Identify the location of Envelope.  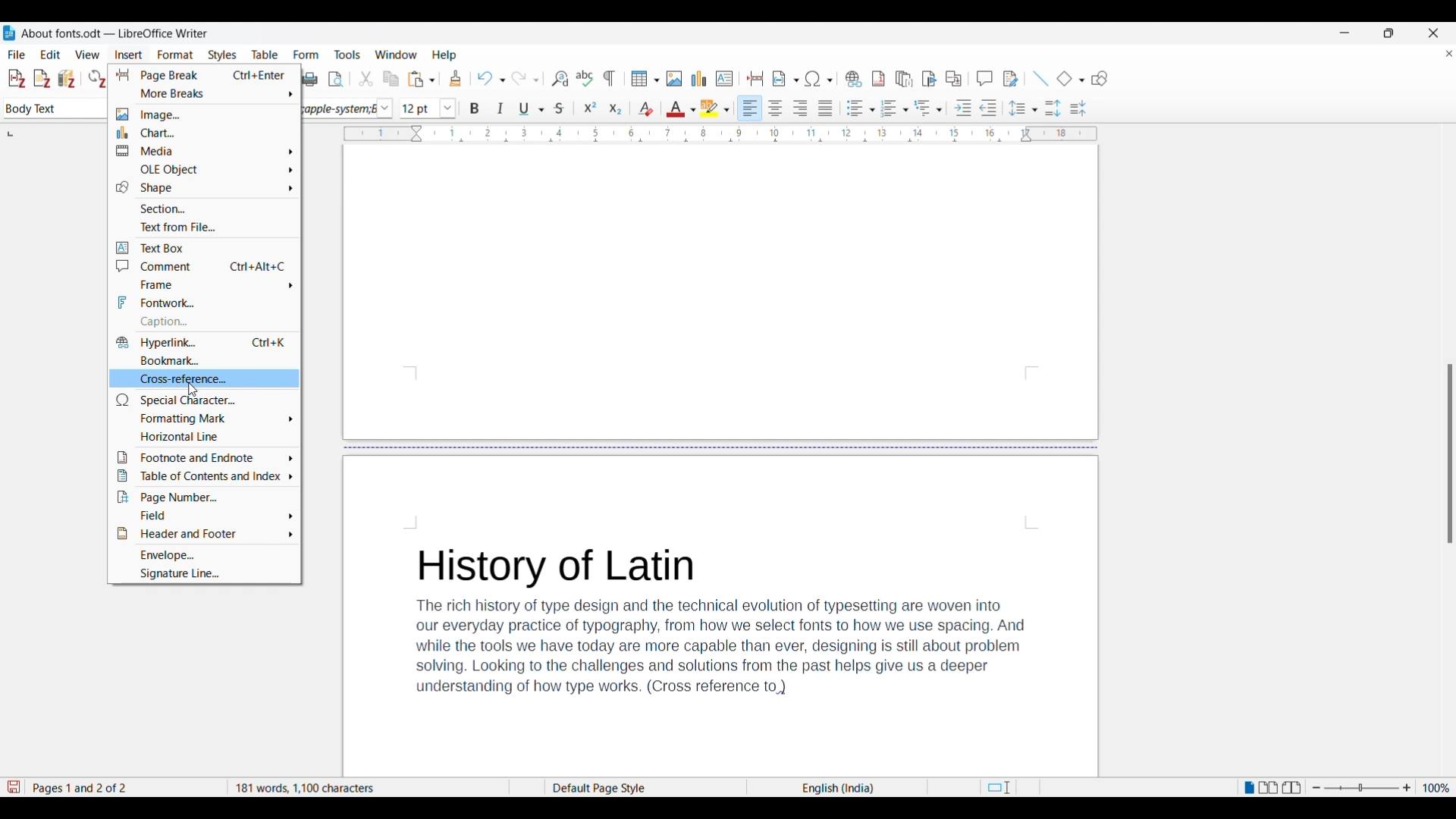
(203, 554).